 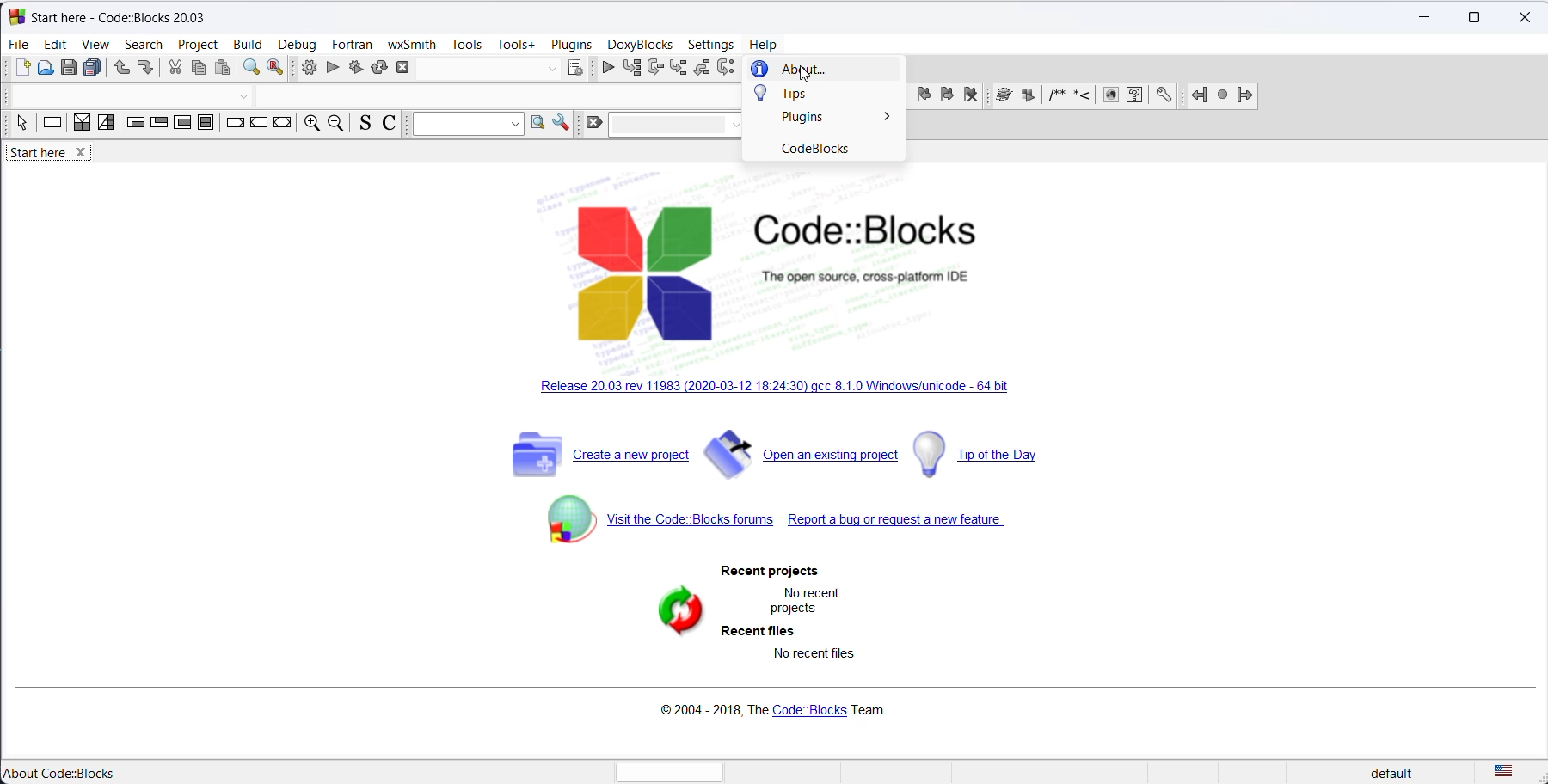 What do you see at coordinates (773, 713) in the screenshot?
I see `©2004 - 2018, The Code: Blocks Team` at bounding box center [773, 713].